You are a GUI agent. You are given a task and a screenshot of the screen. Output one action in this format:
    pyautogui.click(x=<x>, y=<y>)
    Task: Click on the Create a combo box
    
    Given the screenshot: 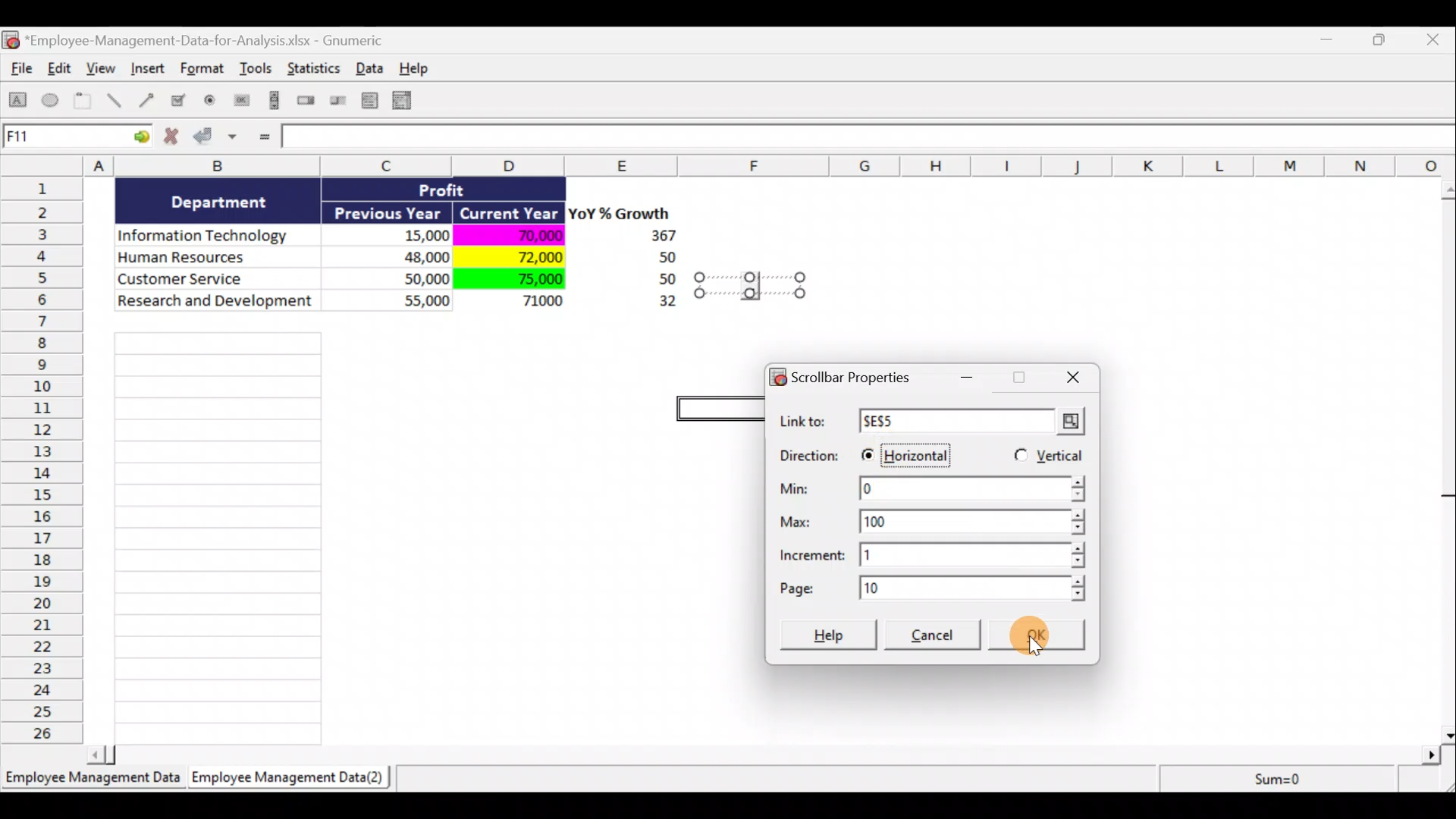 What is the action you would take?
    pyautogui.click(x=409, y=101)
    